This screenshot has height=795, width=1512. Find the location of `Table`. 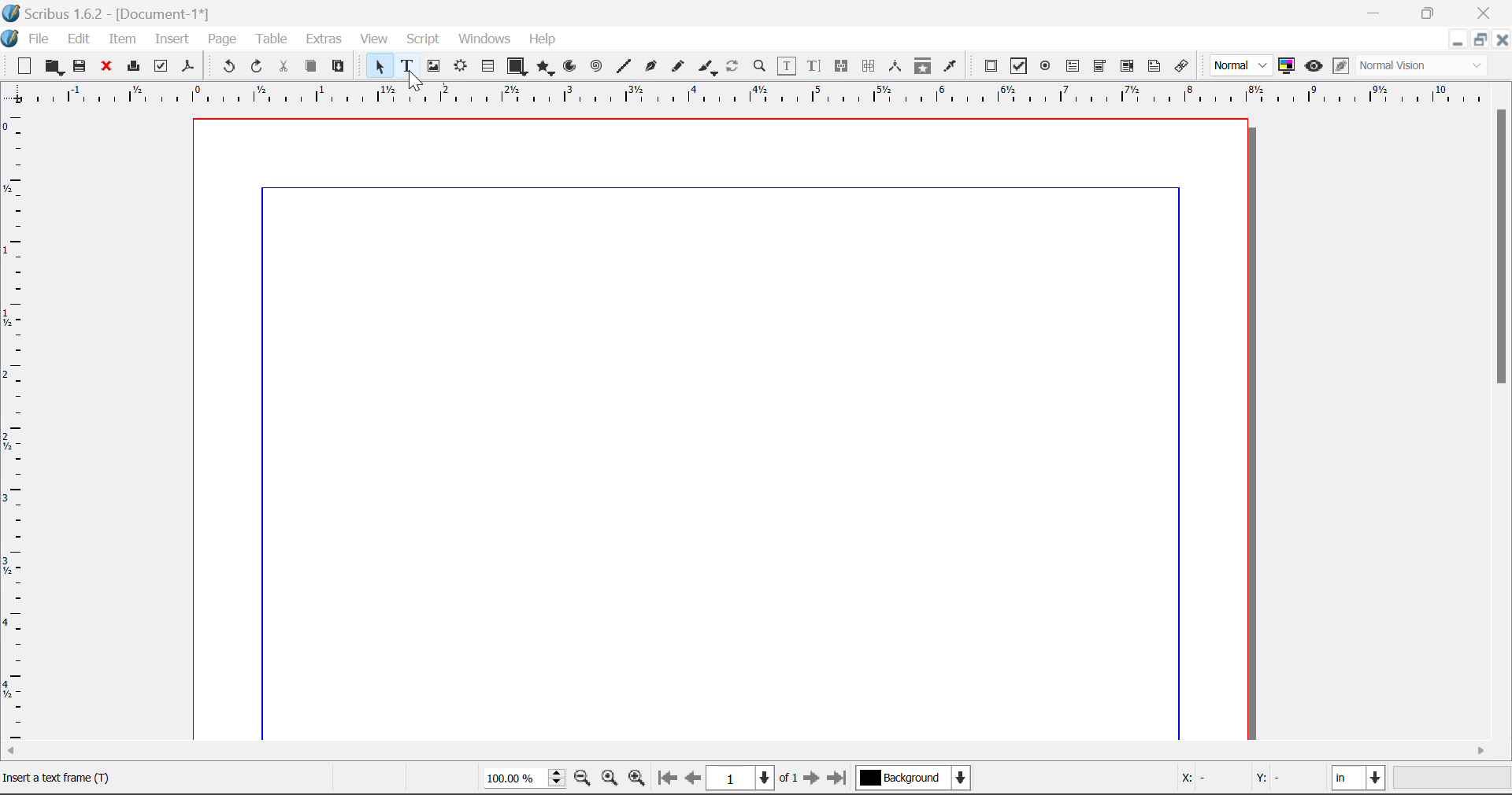

Table is located at coordinates (271, 38).